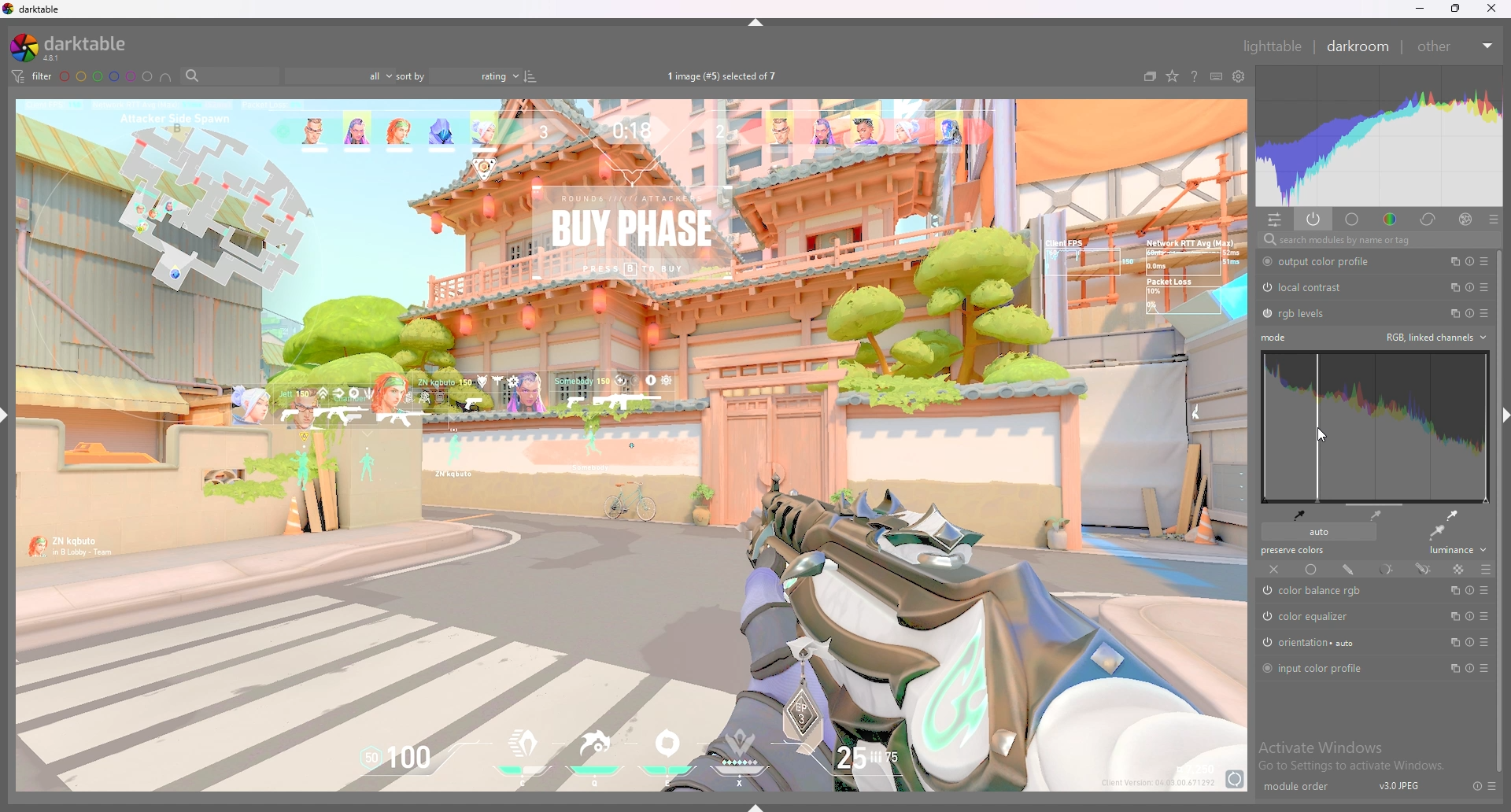  I want to click on module order, so click(1295, 788).